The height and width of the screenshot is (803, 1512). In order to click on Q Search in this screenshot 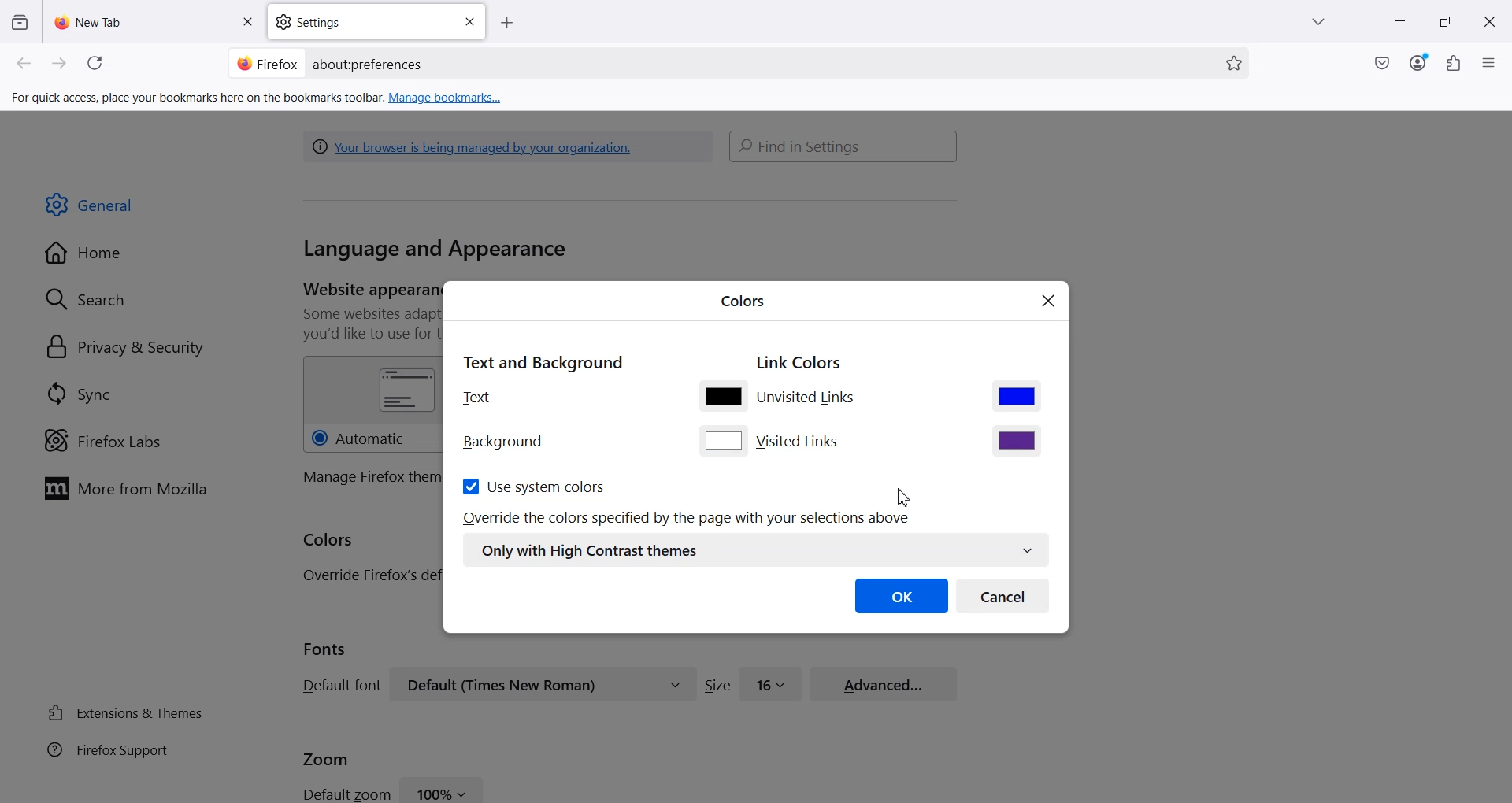, I will do `click(93, 298)`.